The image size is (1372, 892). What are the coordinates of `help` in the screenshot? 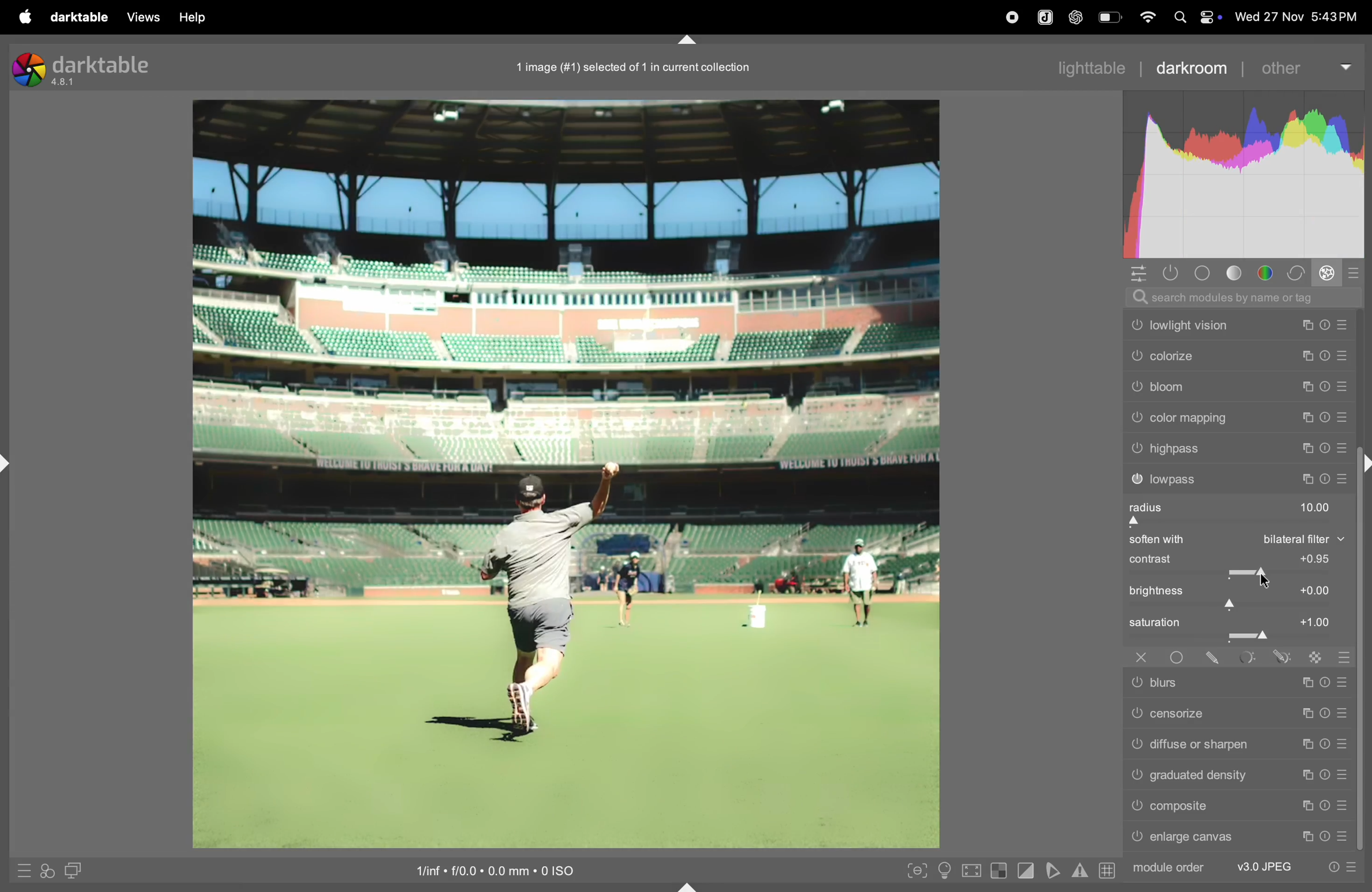 It's located at (191, 18).